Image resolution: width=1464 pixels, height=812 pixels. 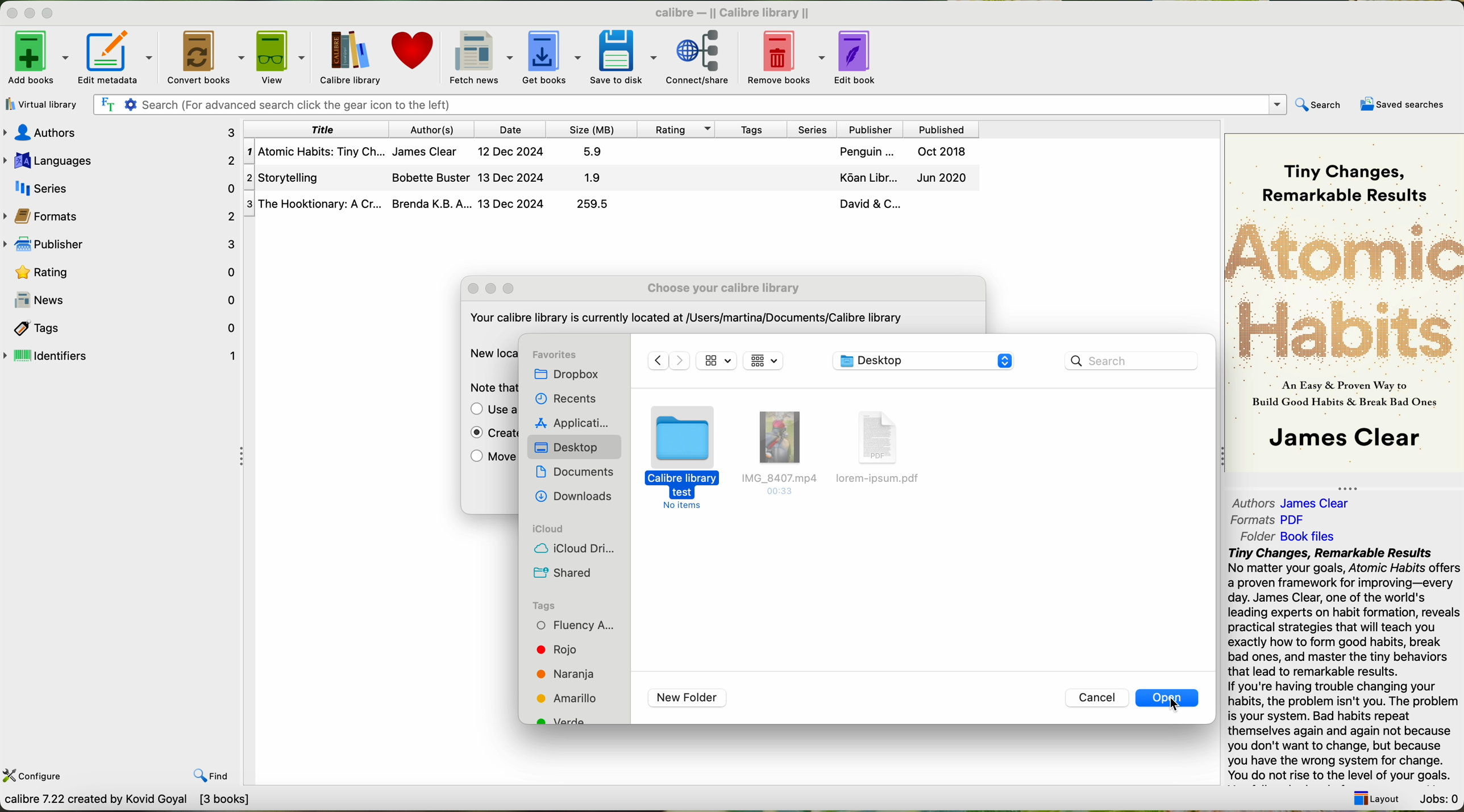 What do you see at coordinates (570, 449) in the screenshot?
I see `click on desktop` at bounding box center [570, 449].